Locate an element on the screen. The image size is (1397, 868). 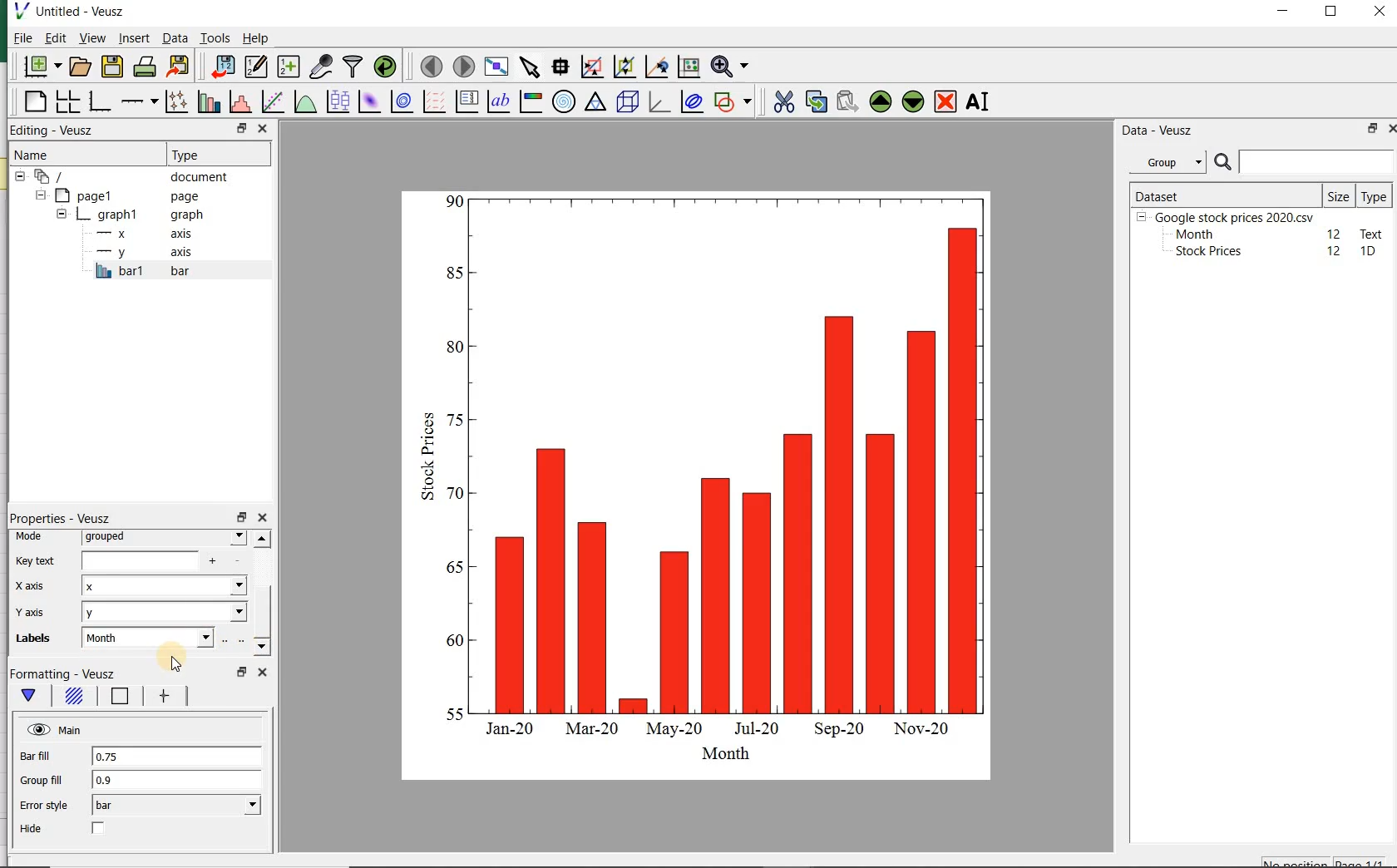
restore is located at coordinates (240, 518).